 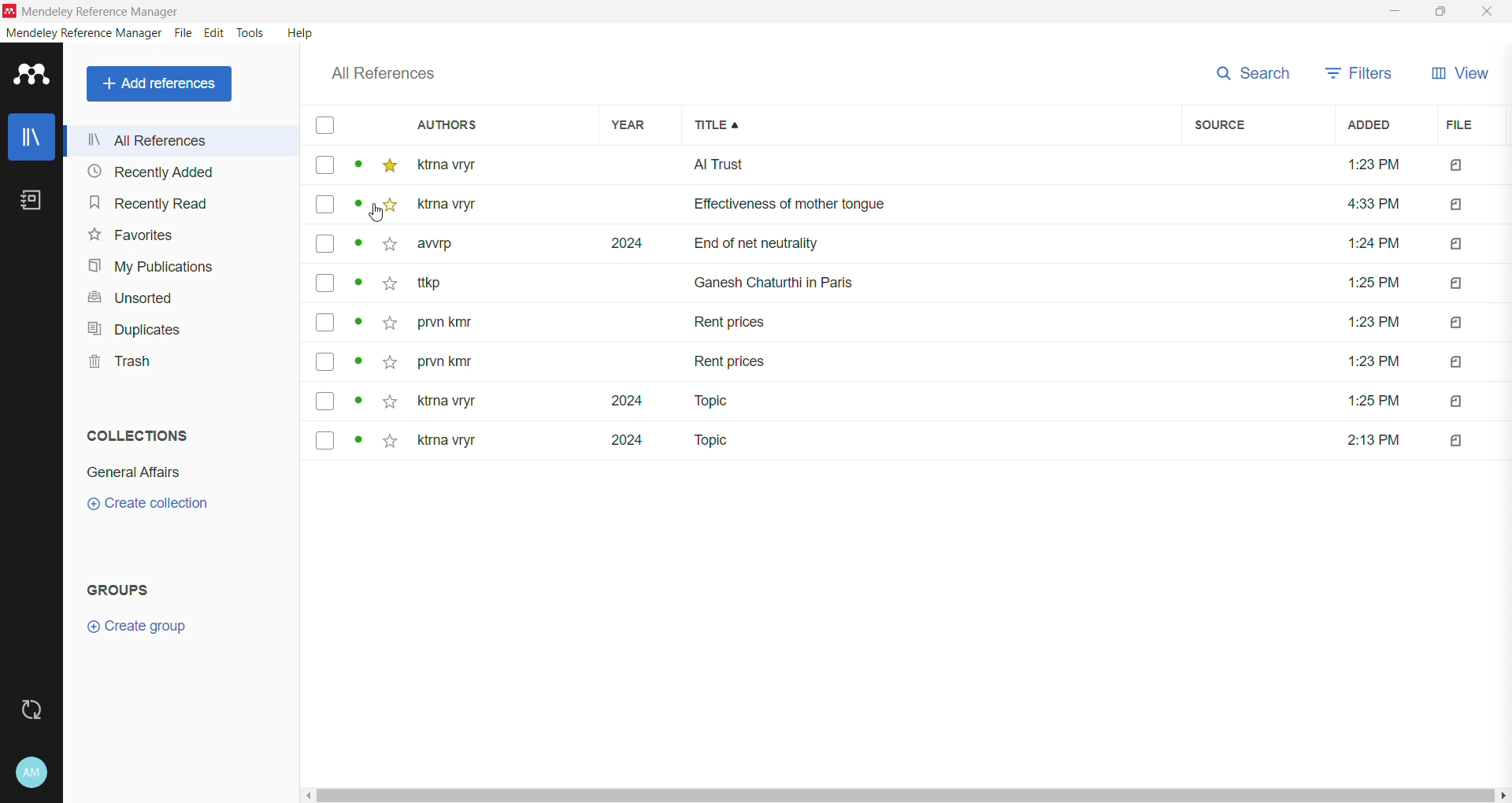 What do you see at coordinates (1455, 204) in the screenshot?
I see `icon` at bounding box center [1455, 204].